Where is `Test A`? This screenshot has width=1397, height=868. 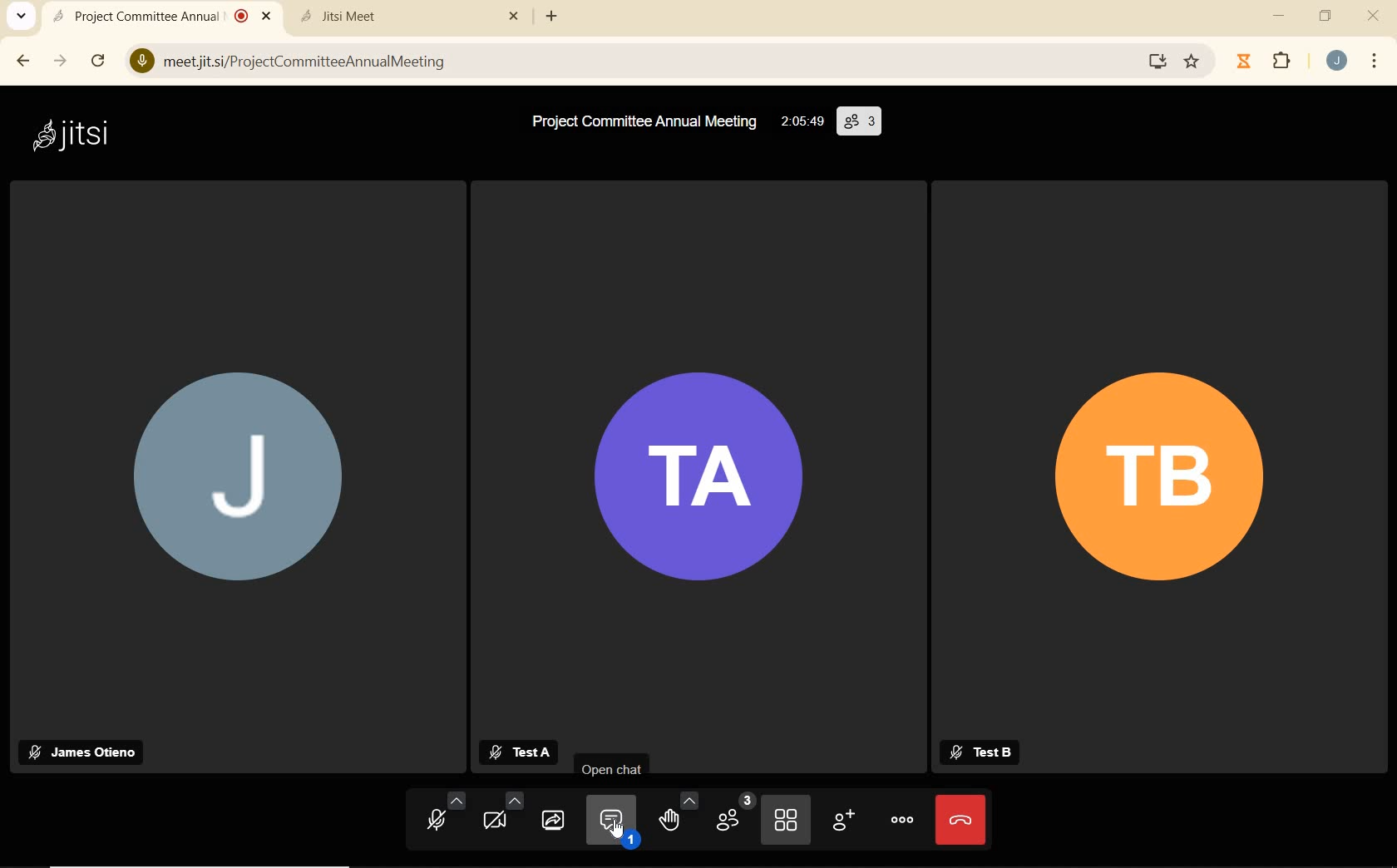
Test A is located at coordinates (518, 752).